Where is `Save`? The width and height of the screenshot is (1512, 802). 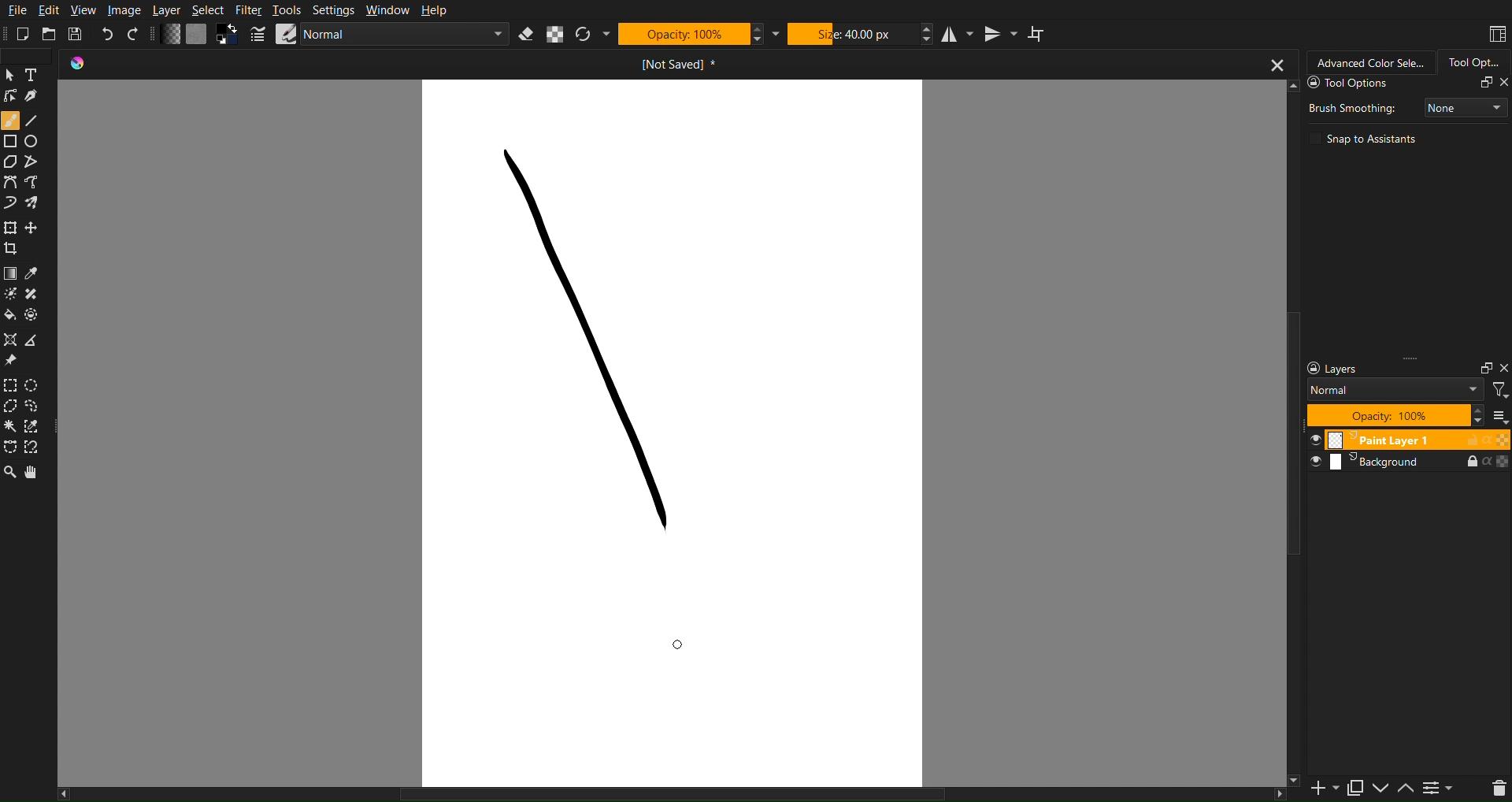 Save is located at coordinates (77, 33).